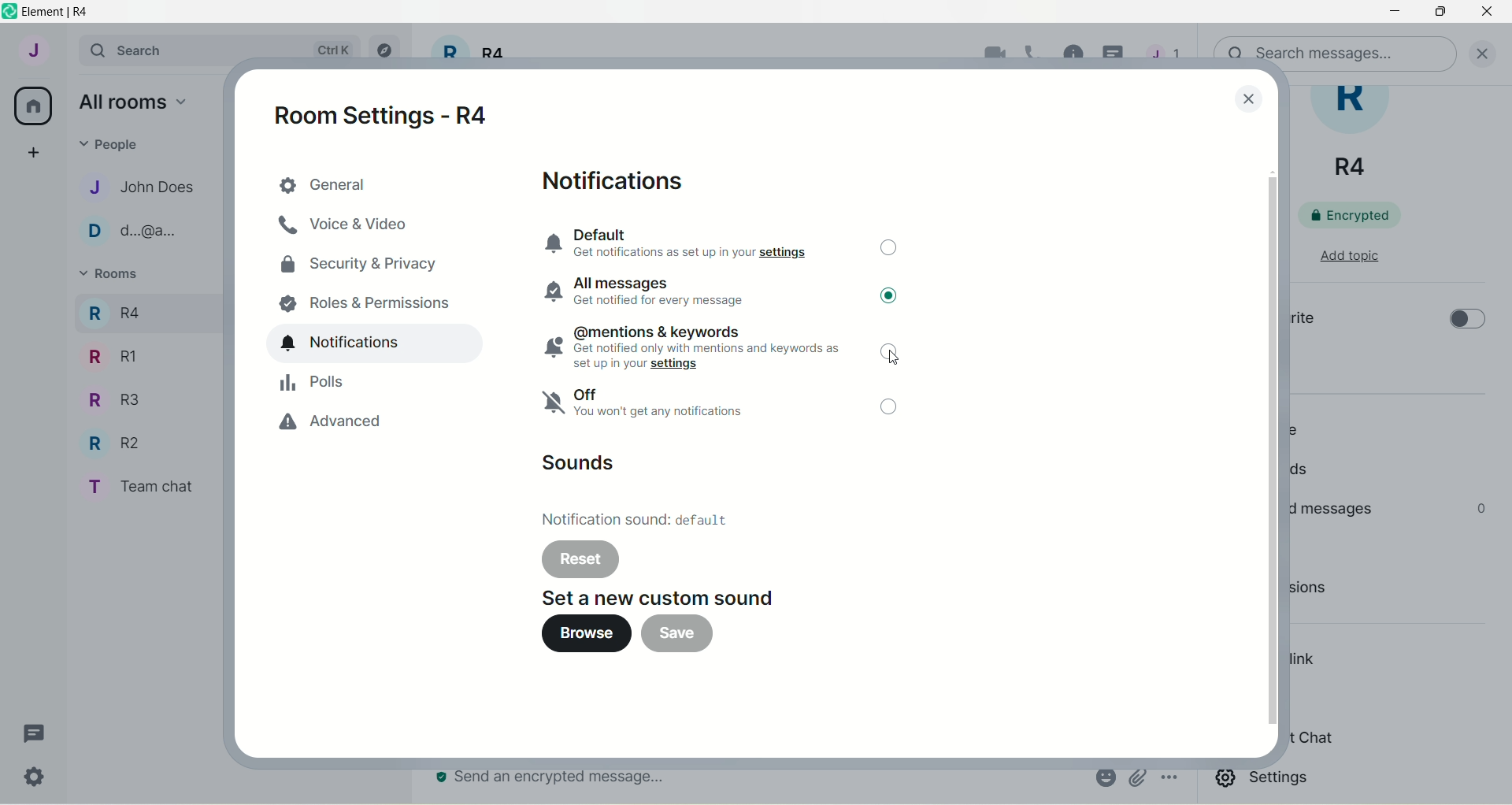  I want to click on maximize, so click(1443, 13).